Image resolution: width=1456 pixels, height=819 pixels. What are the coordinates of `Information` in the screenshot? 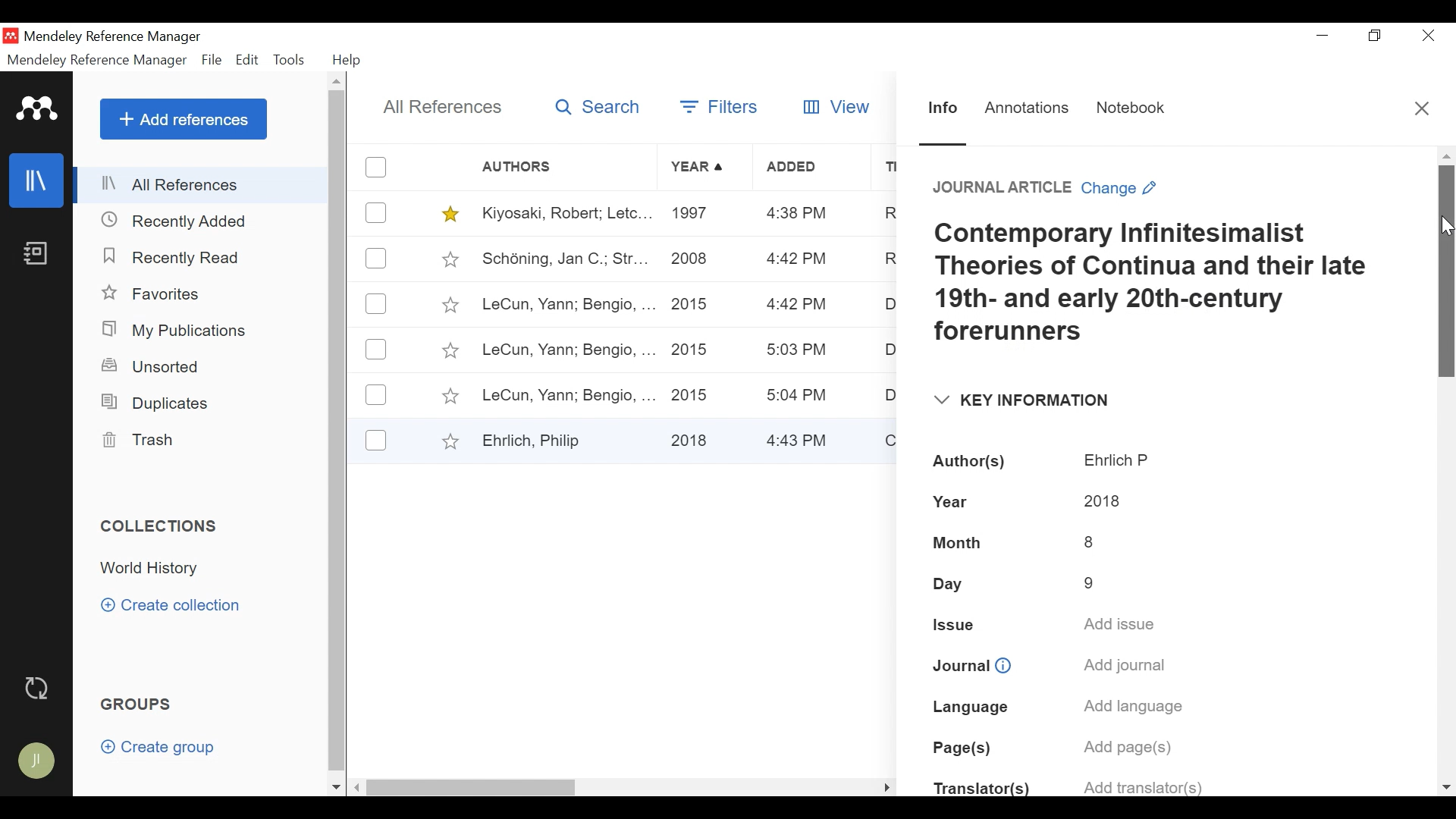 It's located at (943, 113).